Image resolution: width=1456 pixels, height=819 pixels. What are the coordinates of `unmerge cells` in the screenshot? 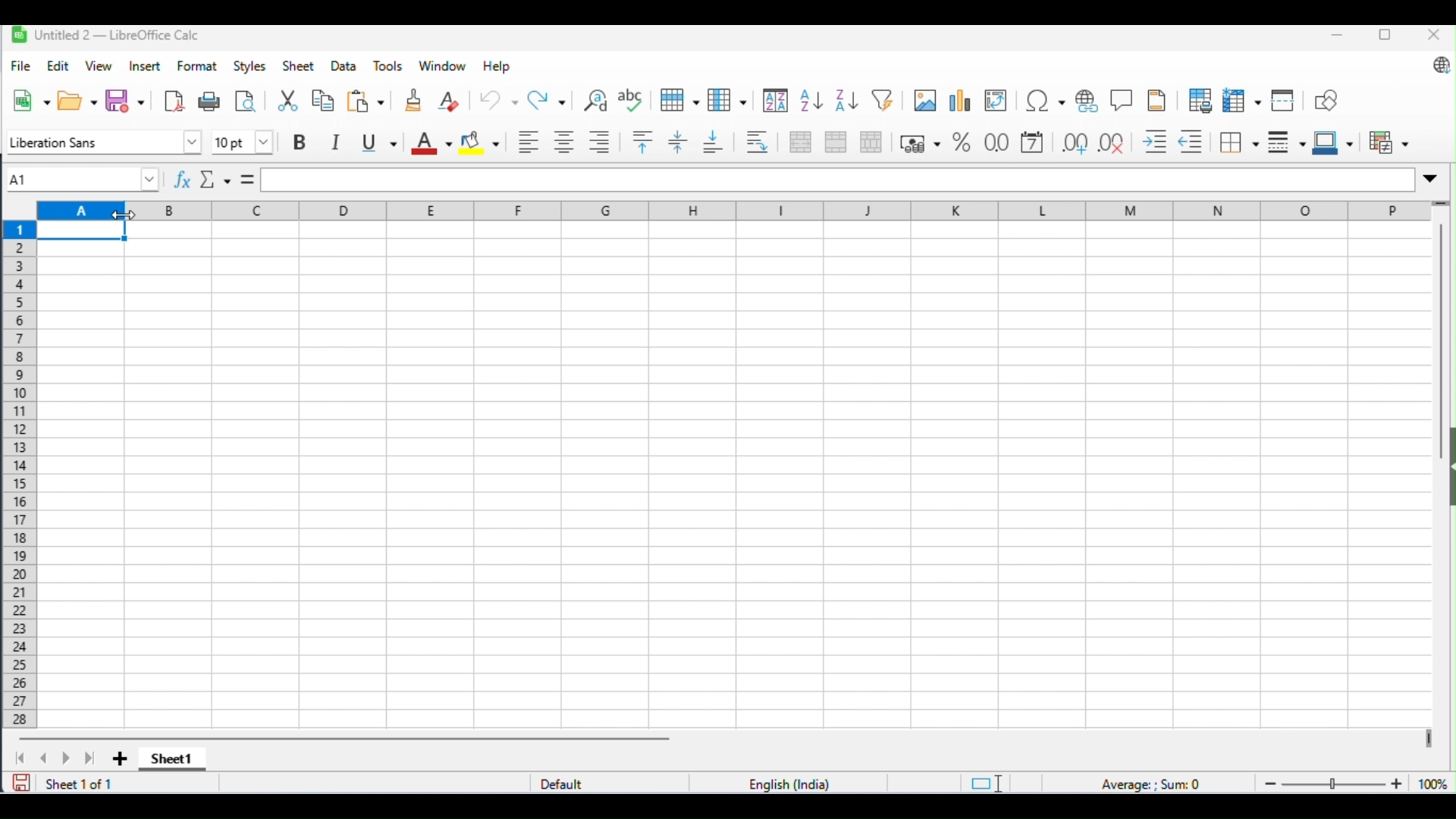 It's located at (872, 141).